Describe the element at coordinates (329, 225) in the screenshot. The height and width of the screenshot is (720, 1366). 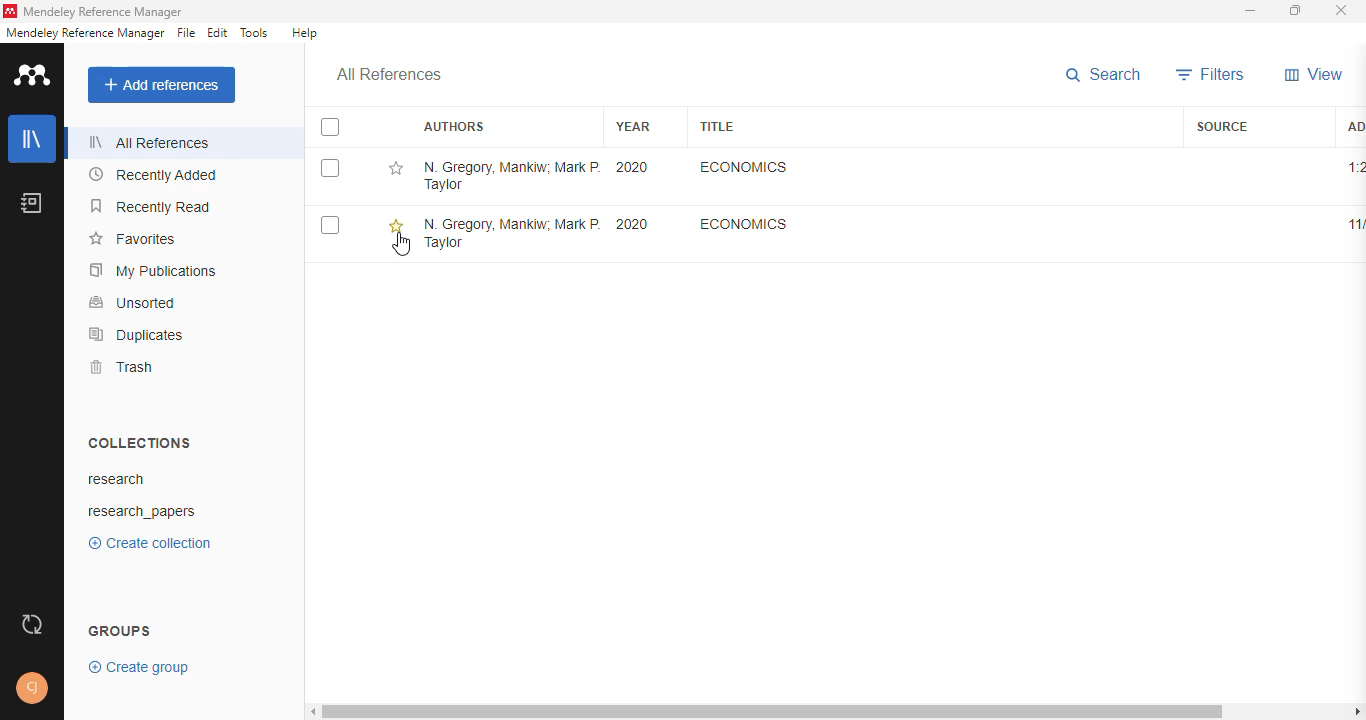
I see `select` at that location.